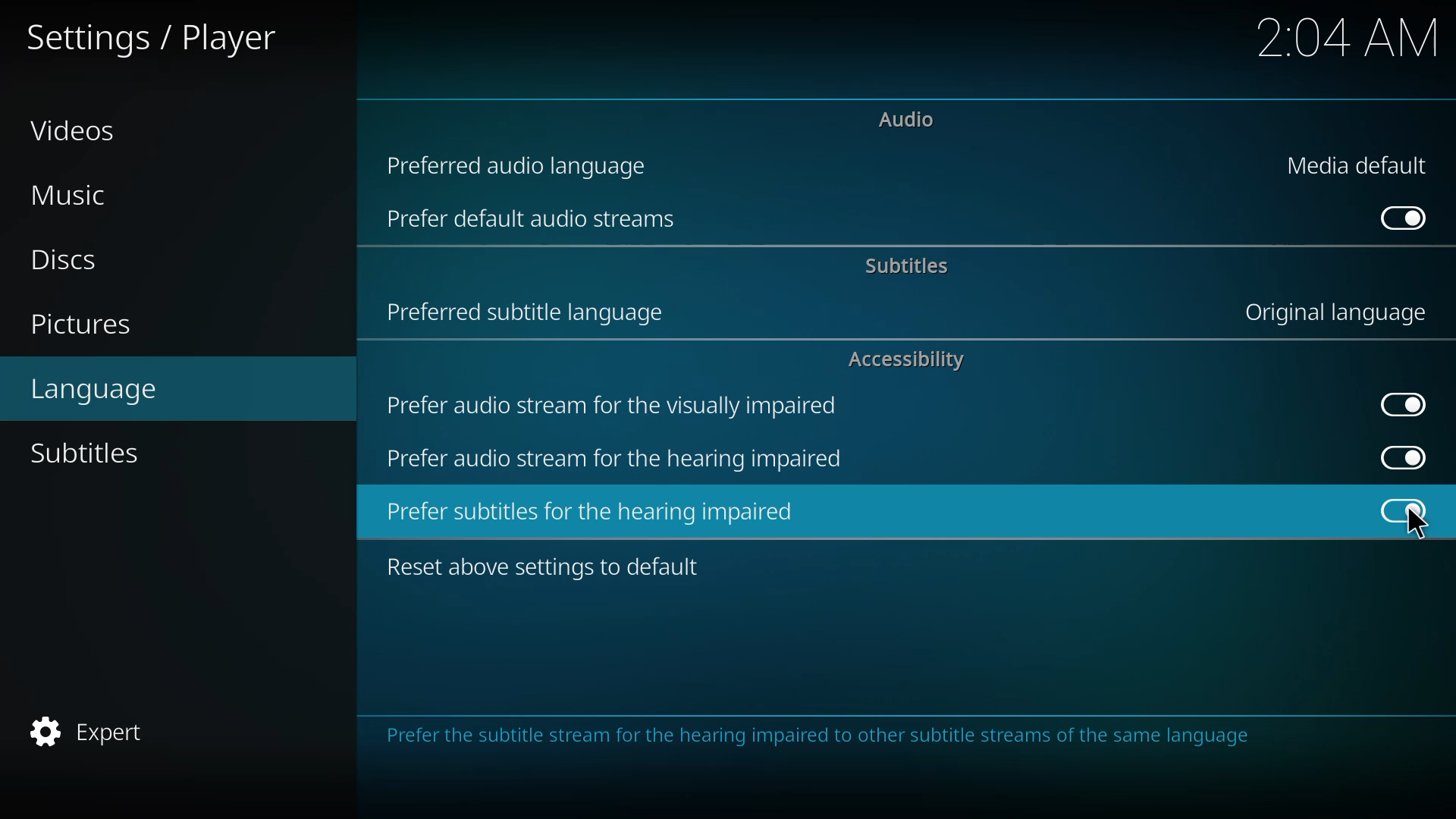 The height and width of the screenshot is (819, 1456). Describe the element at coordinates (529, 309) in the screenshot. I see `preferred subtitle language` at that location.